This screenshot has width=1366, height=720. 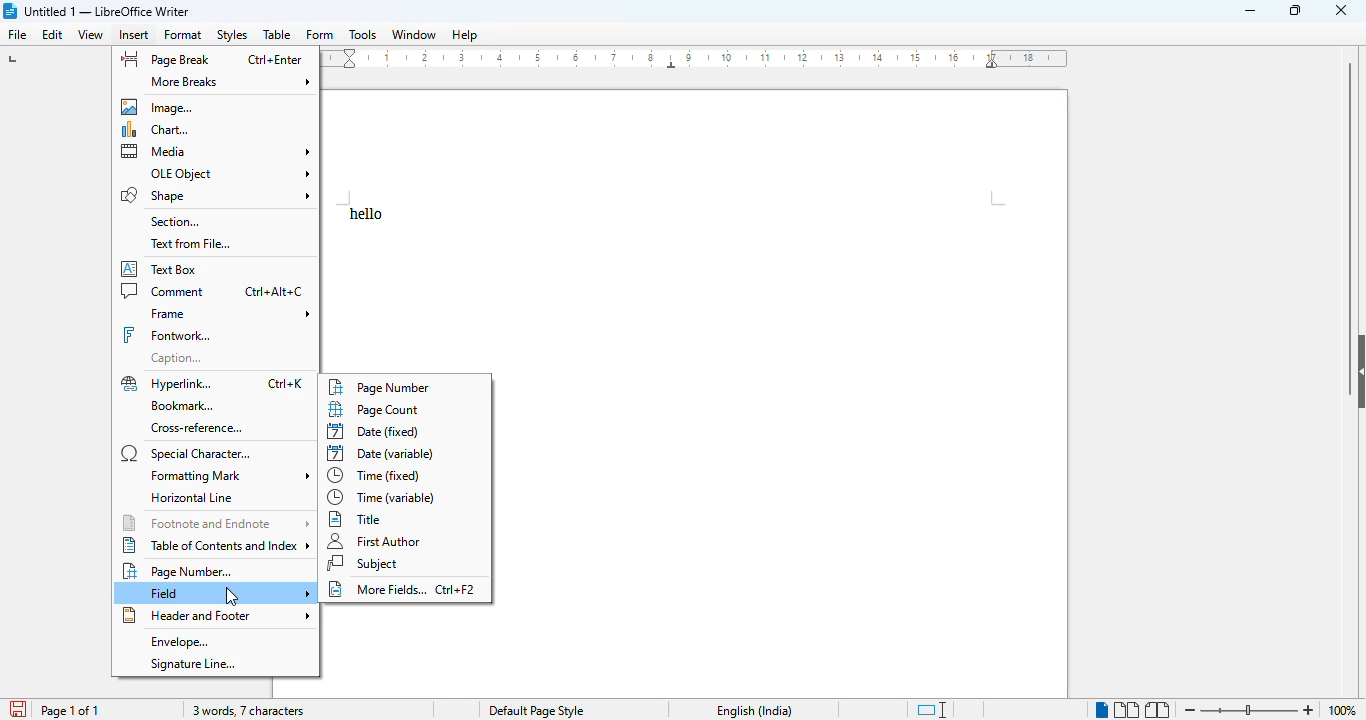 What do you see at coordinates (383, 497) in the screenshot?
I see `time (variable)` at bounding box center [383, 497].